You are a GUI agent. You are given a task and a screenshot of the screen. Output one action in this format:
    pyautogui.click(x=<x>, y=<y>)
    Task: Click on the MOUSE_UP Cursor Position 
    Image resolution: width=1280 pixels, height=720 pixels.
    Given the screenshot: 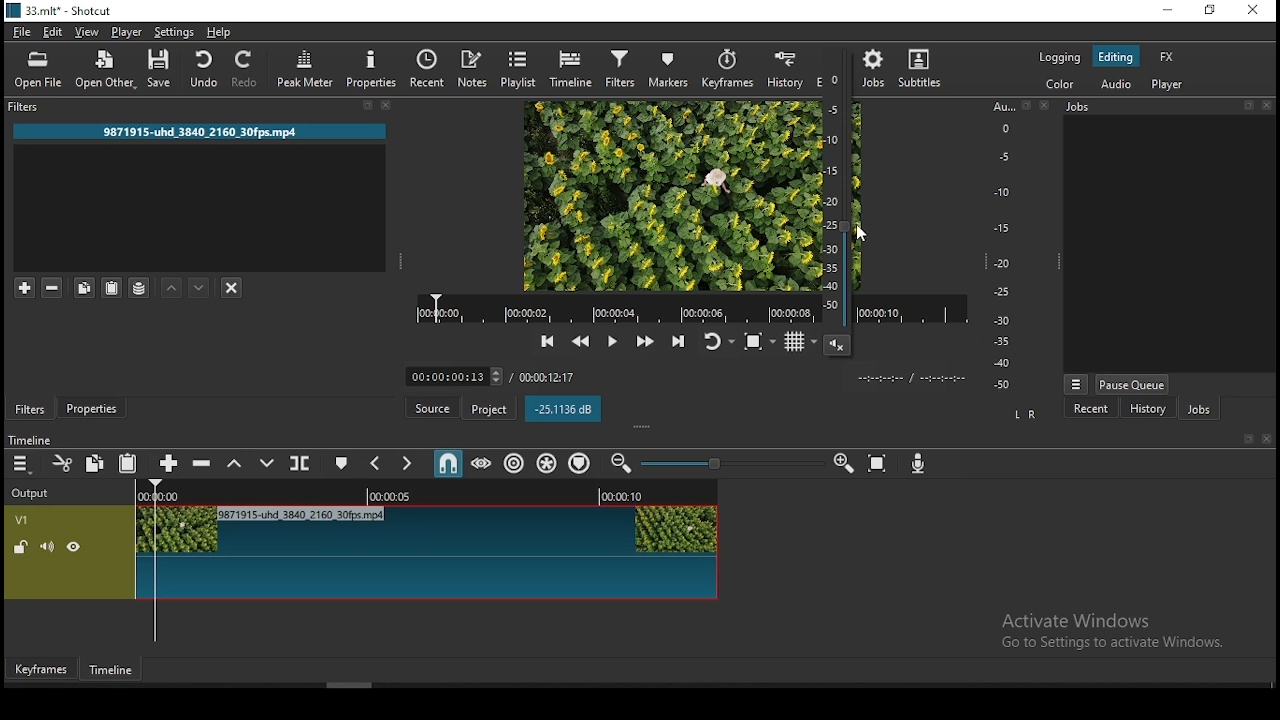 What is the action you would take?
    pyautogui.click(x=861, y=232)
    